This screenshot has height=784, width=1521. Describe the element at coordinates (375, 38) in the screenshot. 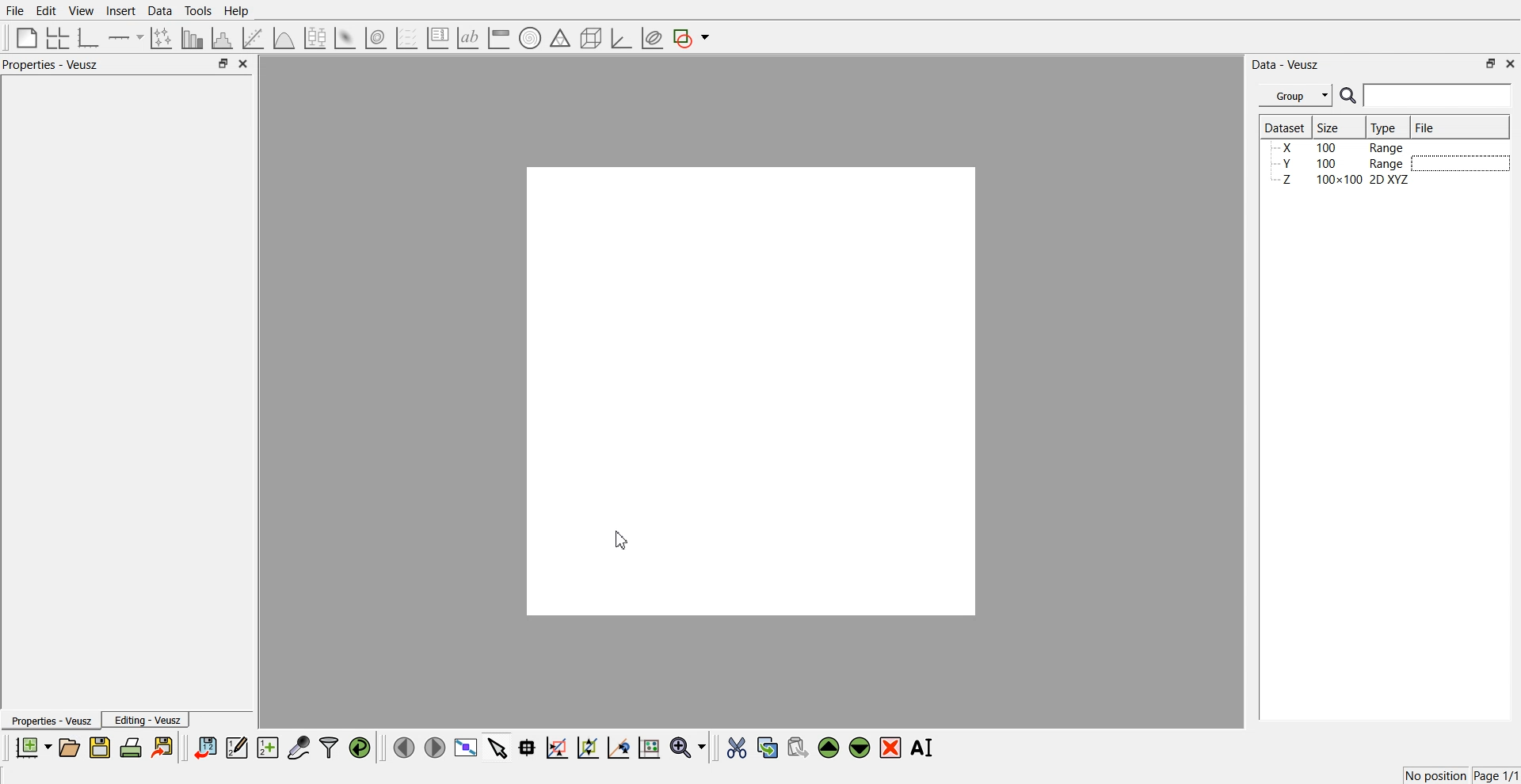

I see `3D Volume` at that location.